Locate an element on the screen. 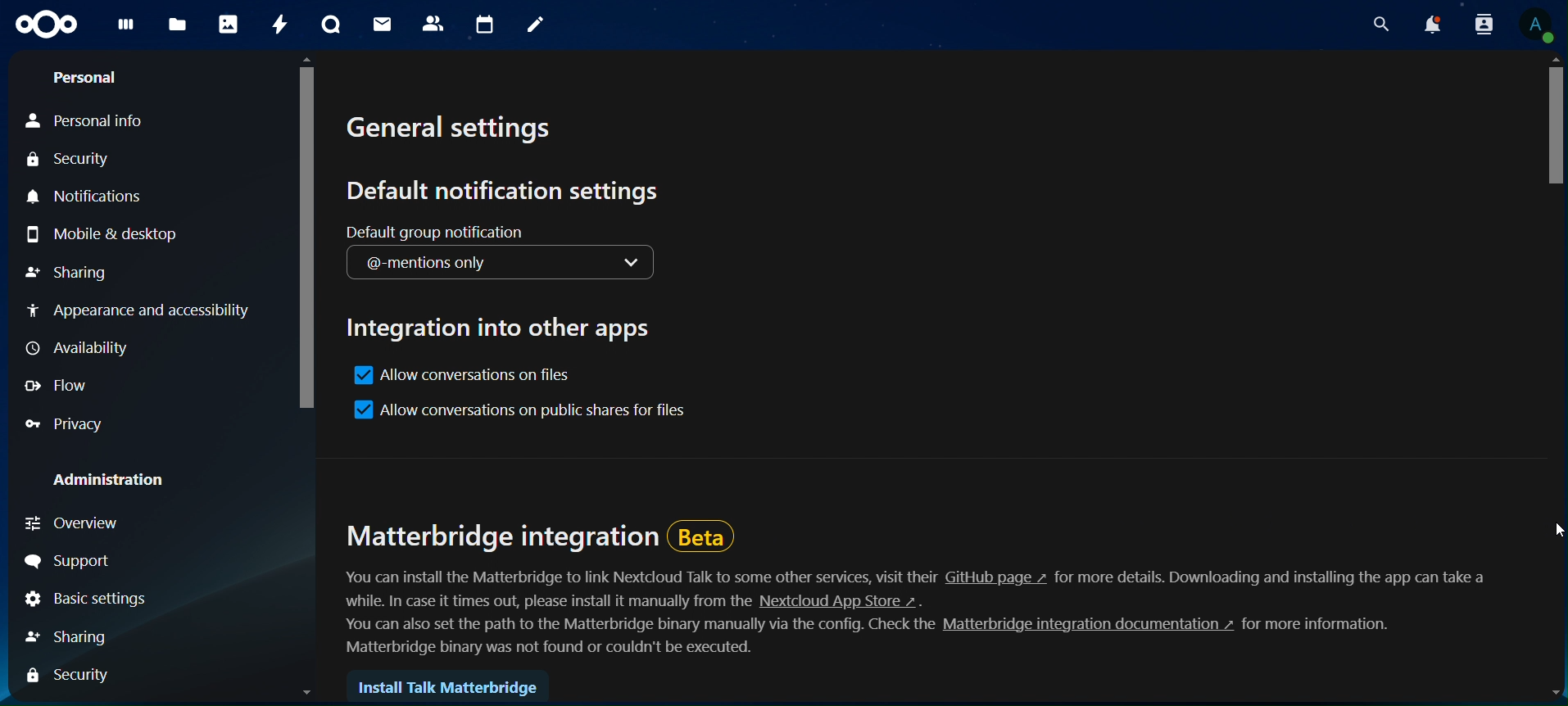  Flow is located at coordinates (59, 386).